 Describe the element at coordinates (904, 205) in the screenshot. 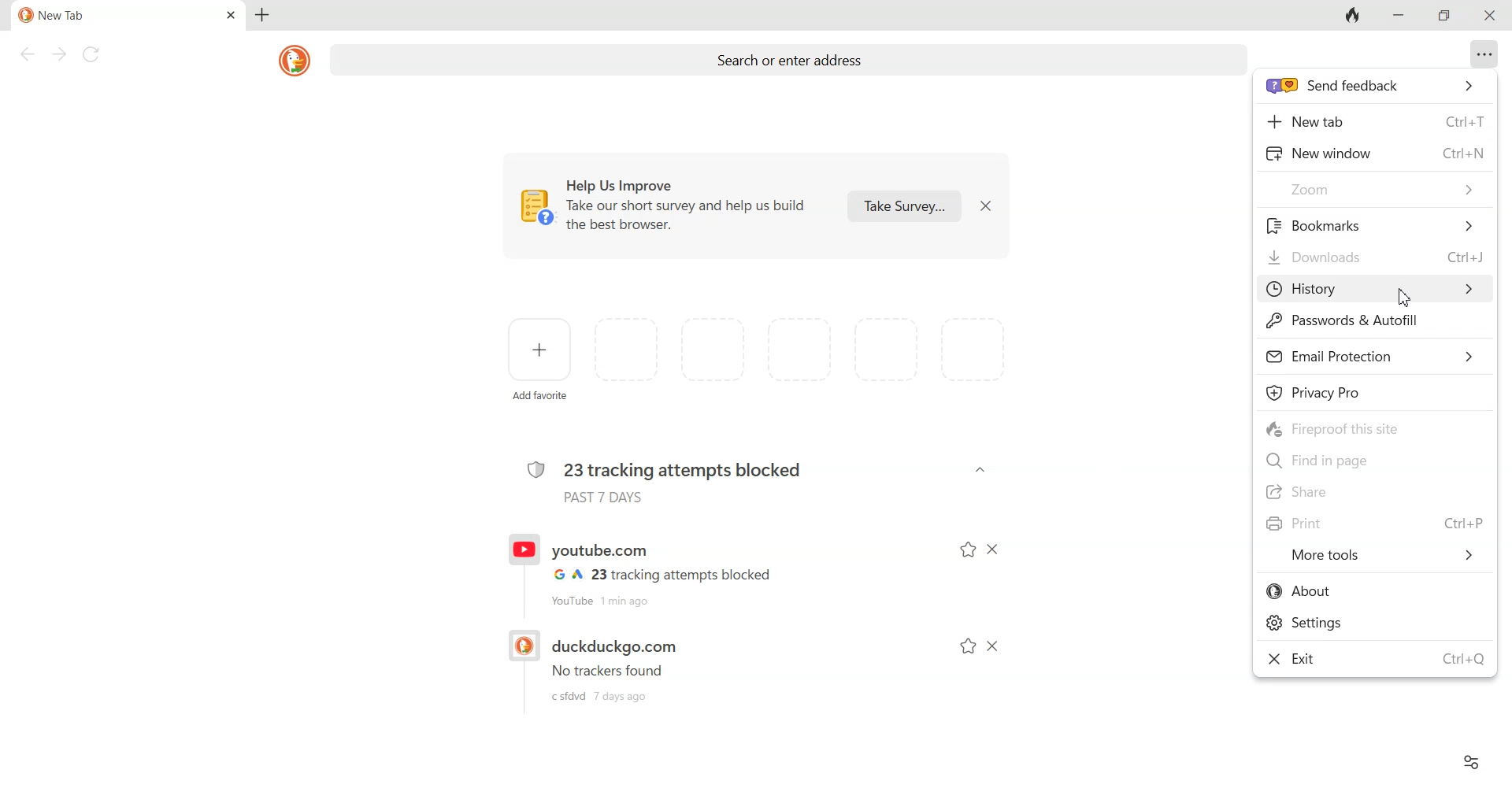

I see `Take survey...` at that location.